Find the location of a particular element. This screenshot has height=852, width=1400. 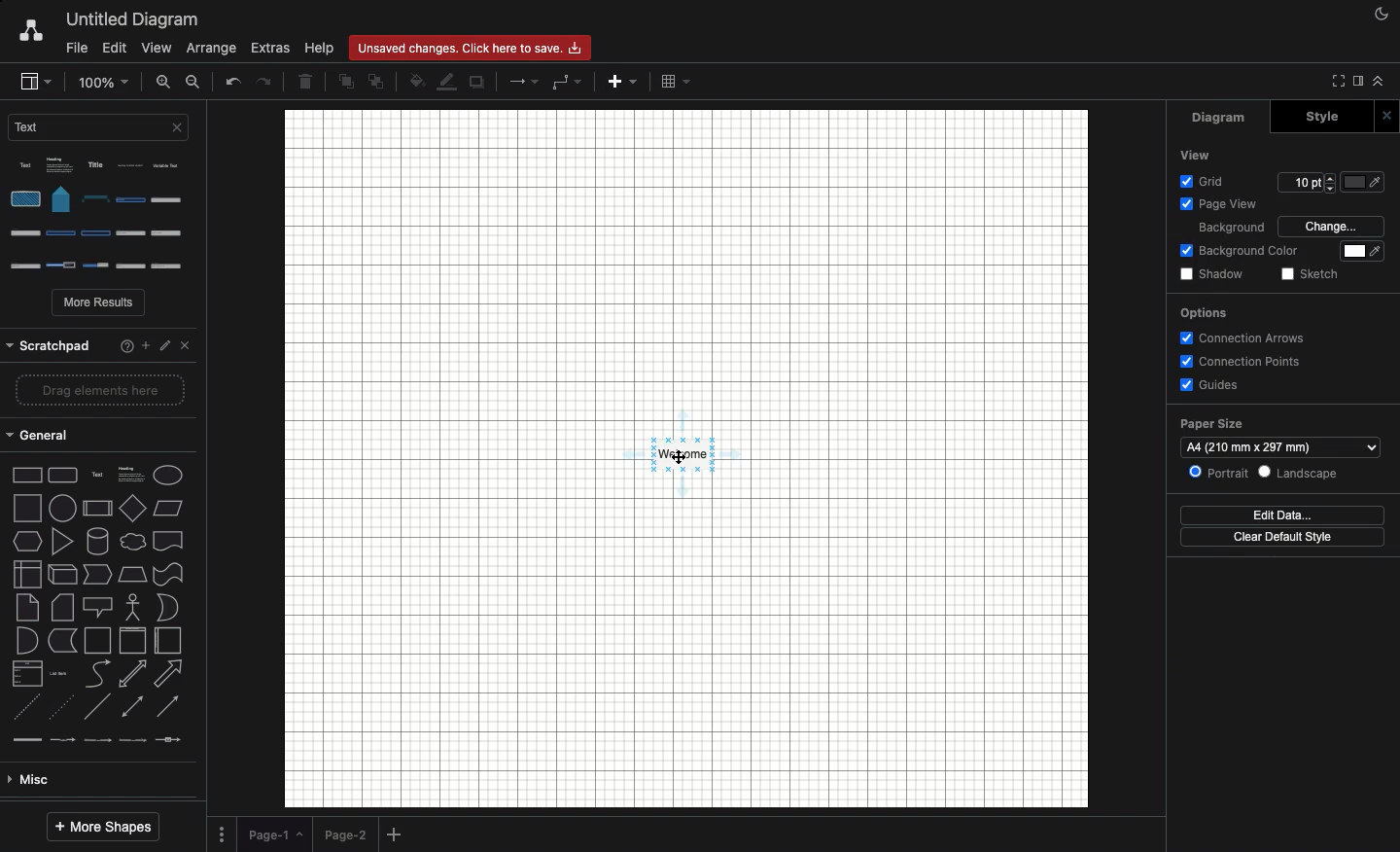

shapes is located at coordinates (104, 470).